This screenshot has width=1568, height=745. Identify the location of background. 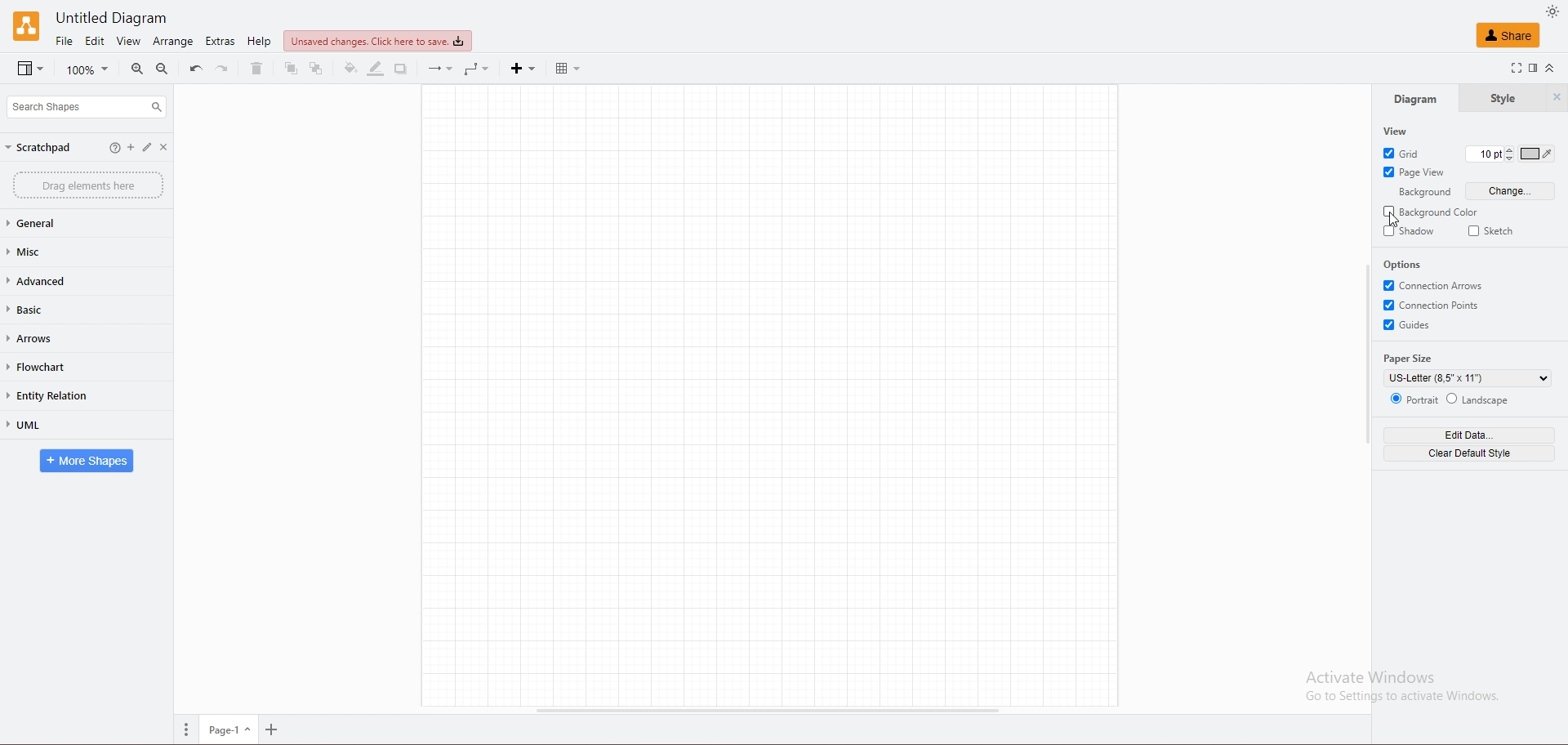
(1419, 192).